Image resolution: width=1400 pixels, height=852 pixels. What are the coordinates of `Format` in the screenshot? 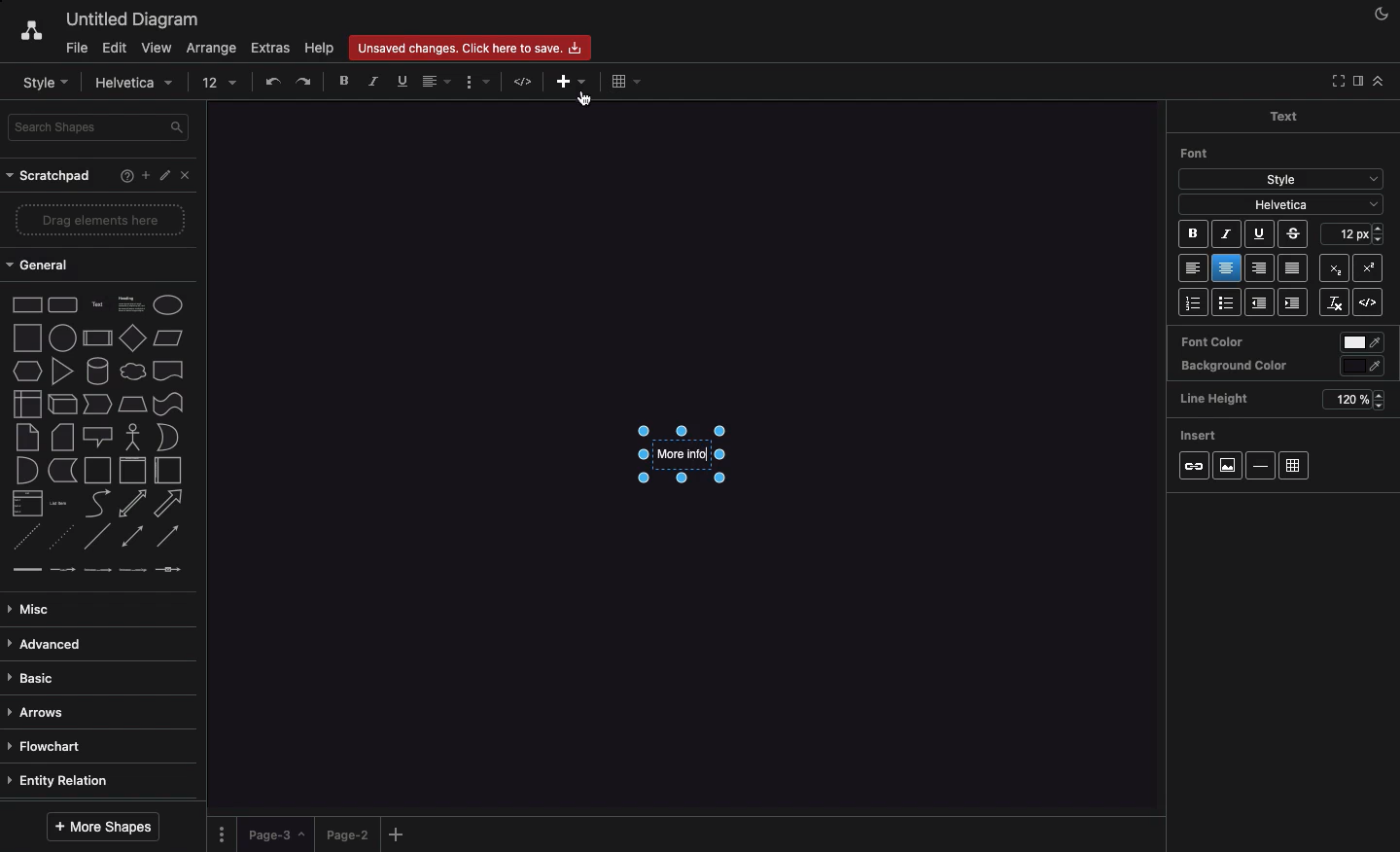 It's located at (477, 83).